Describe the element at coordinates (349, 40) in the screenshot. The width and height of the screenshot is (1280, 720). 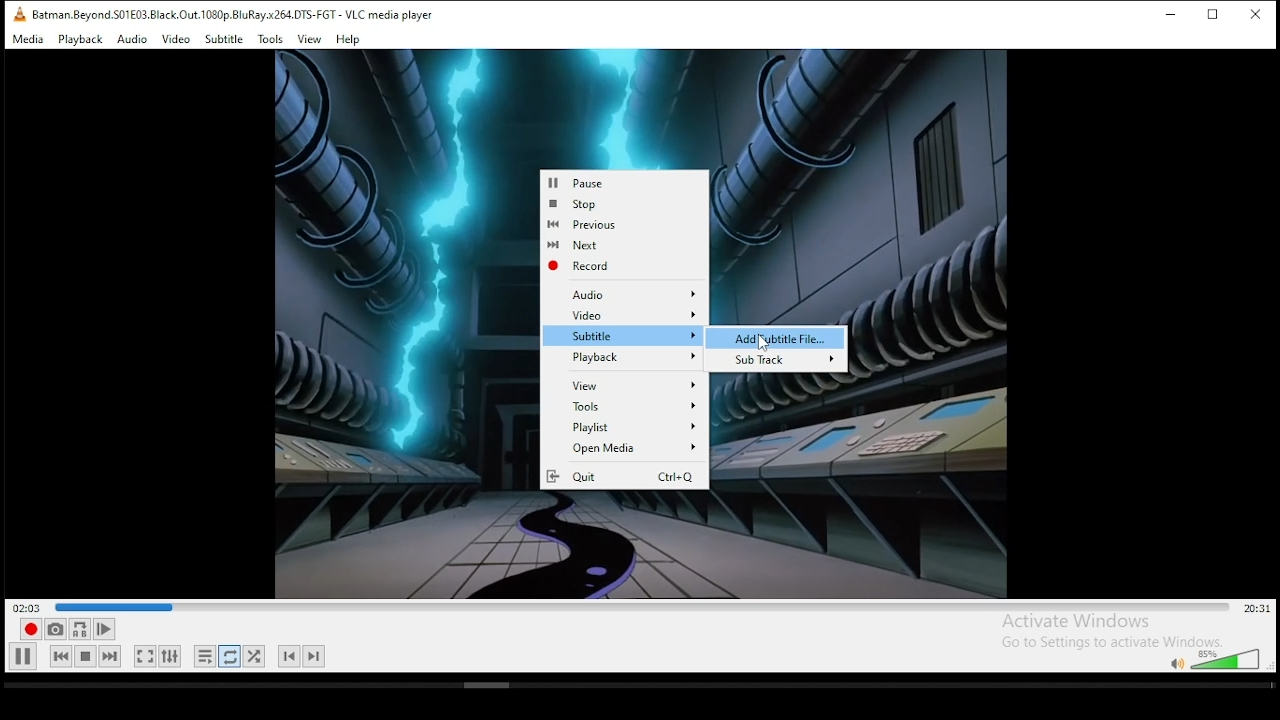
I see `help` at that location.